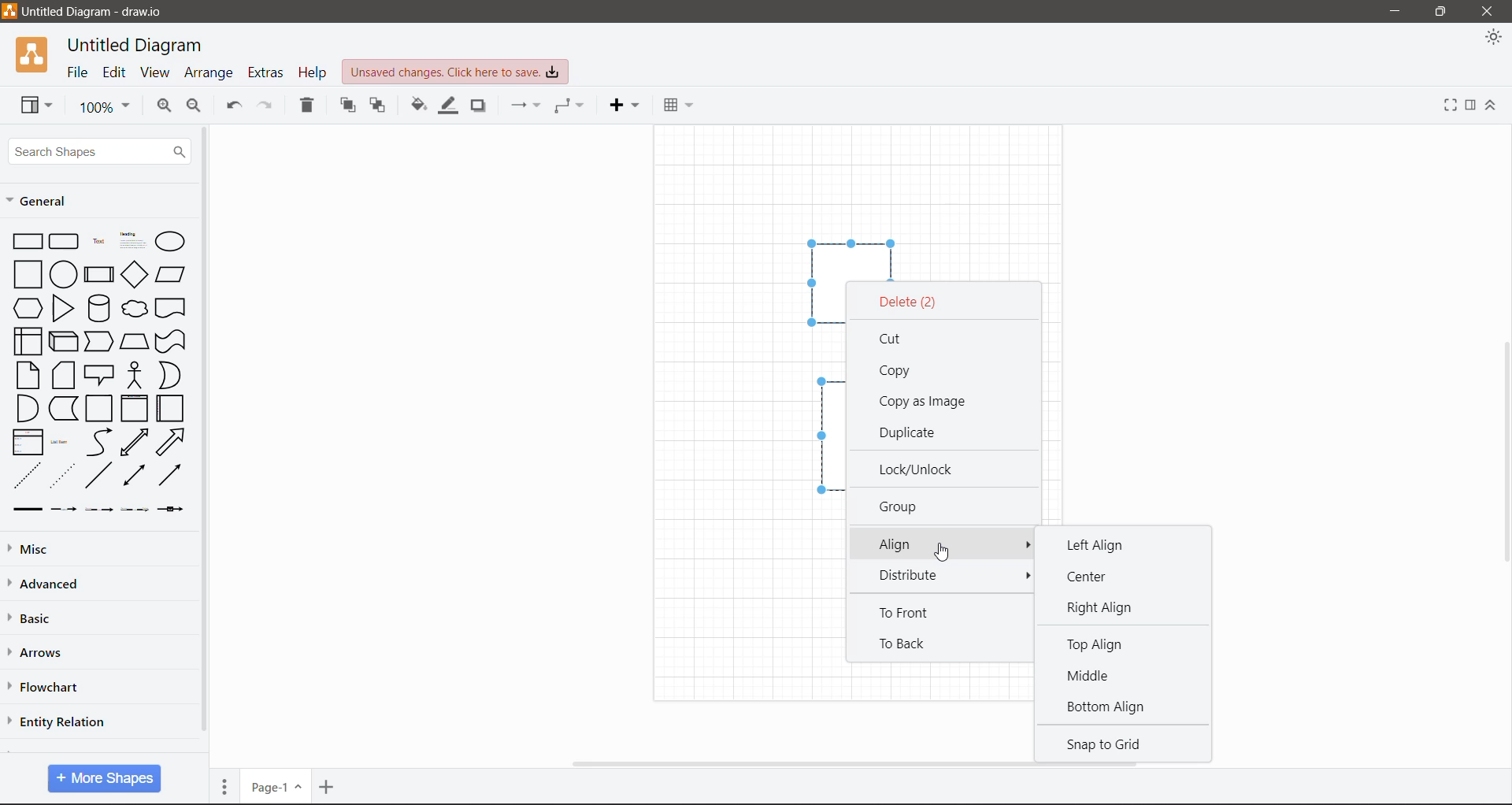 The image size is (1512, 805). I want to click on Redo, so click(269, 106).